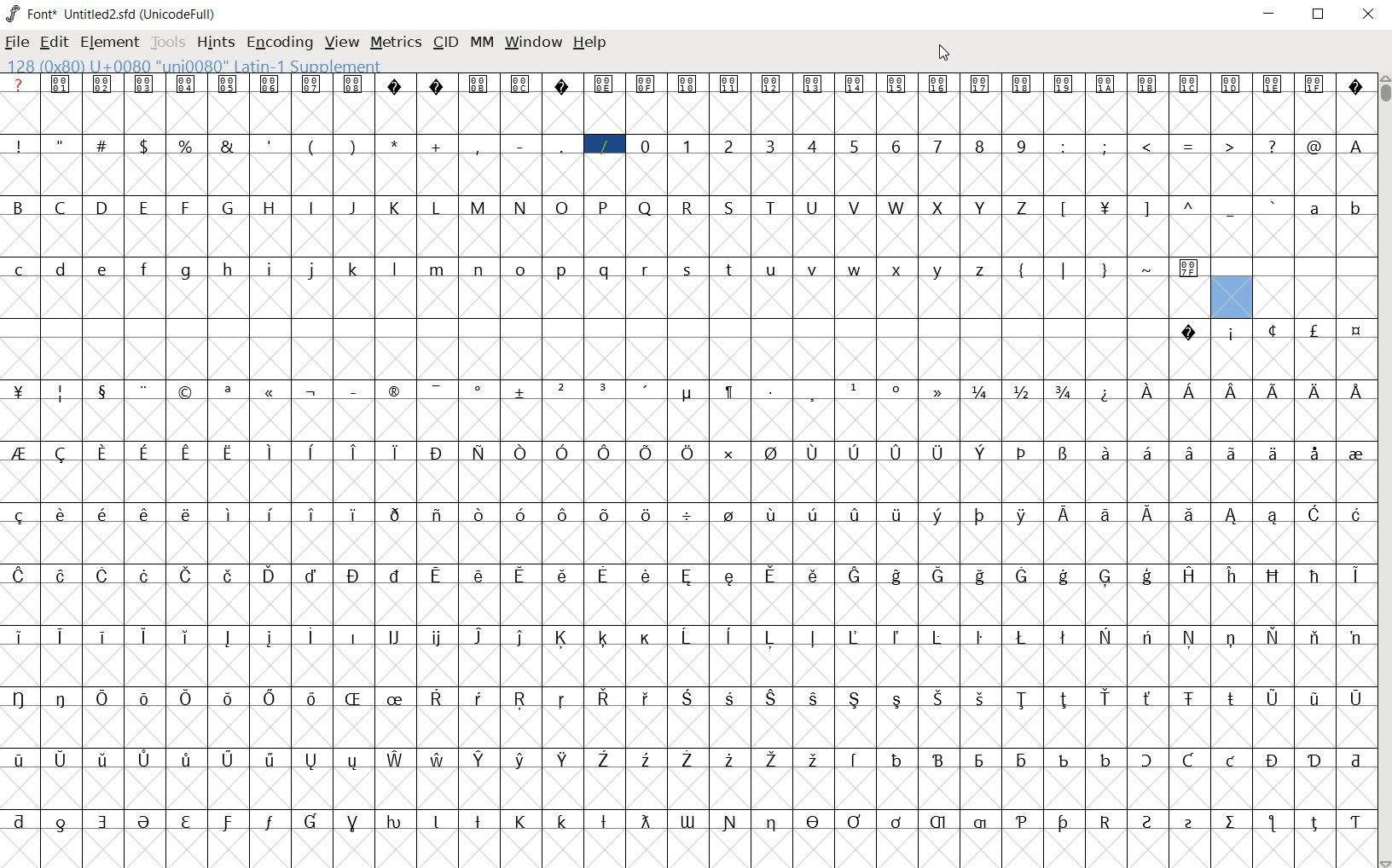 The height and width of the screenshot is (868, 1392). What do you see at coordinates (1064, 513) in the screenshot?
I see `glyph` at bounding box center [1064, 513].